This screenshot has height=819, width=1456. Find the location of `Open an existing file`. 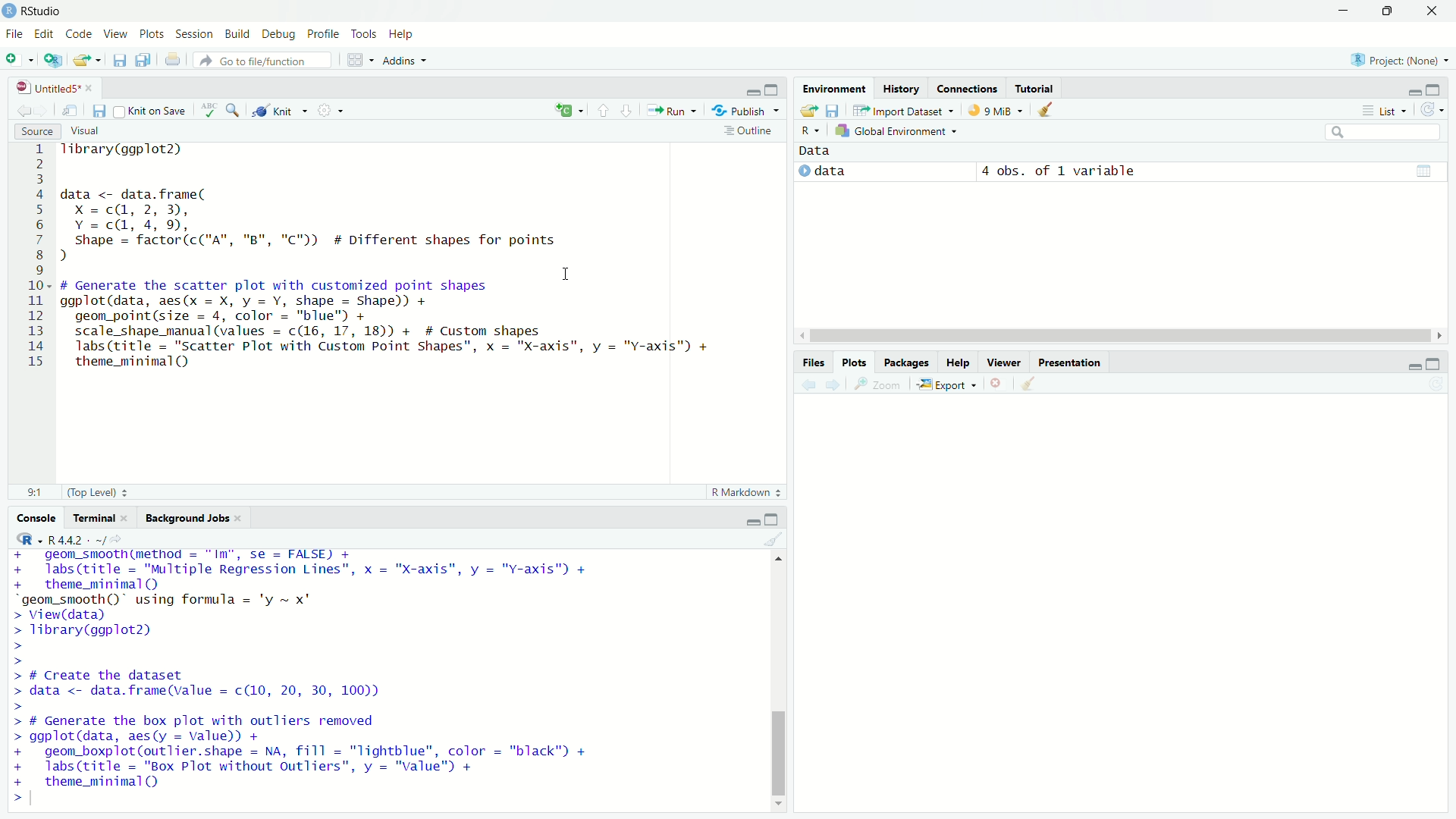

Open an existing file is located at coordinates (80, 60).